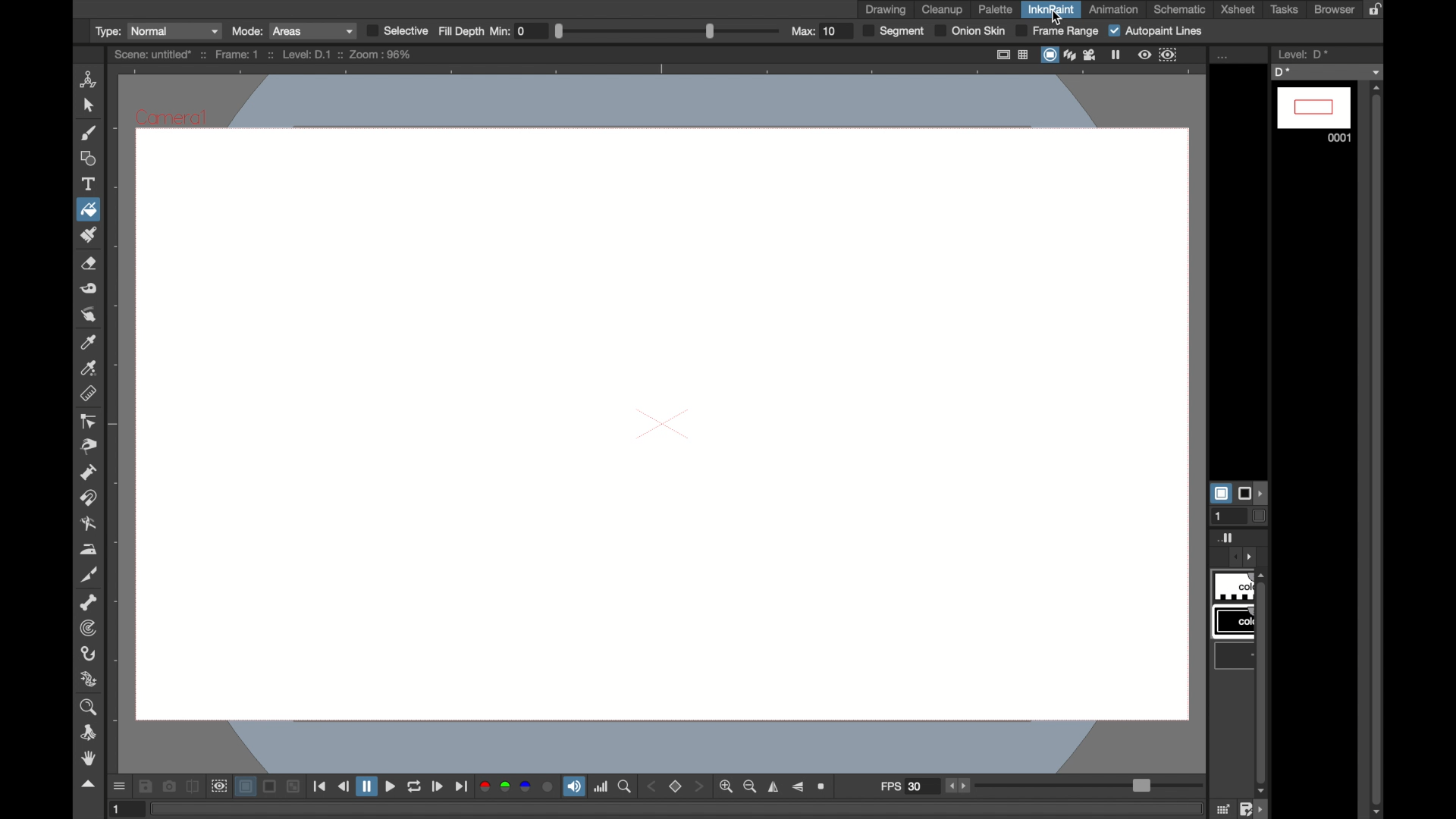  I want to click on Scene: untitled* :: Frame: 1 : Level: D.1 :: Zoom: 50%, so click(263, 54).